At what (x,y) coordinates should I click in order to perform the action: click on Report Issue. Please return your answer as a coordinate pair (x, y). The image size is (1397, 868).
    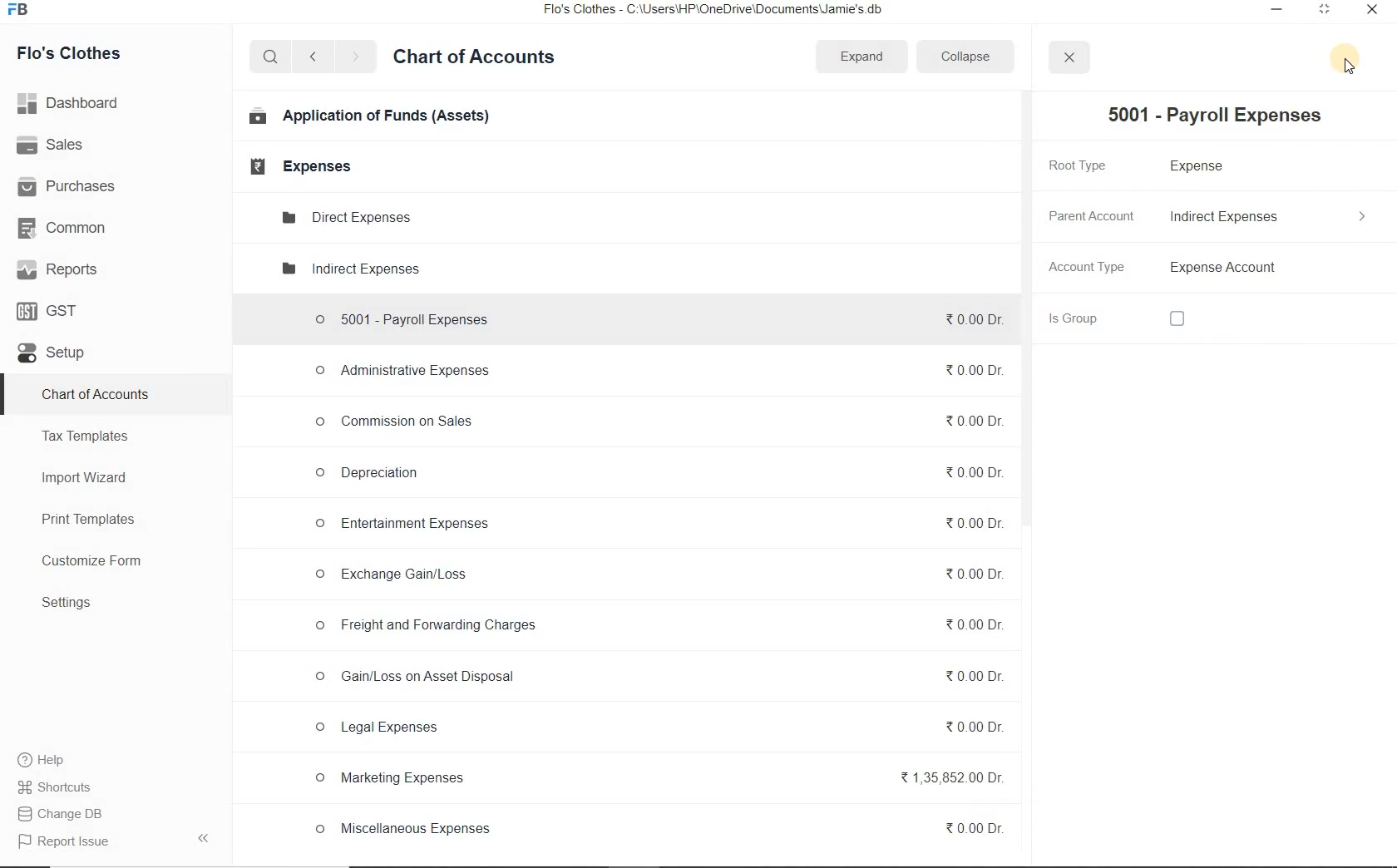
    Looking at the image, I should click on (60, 842).